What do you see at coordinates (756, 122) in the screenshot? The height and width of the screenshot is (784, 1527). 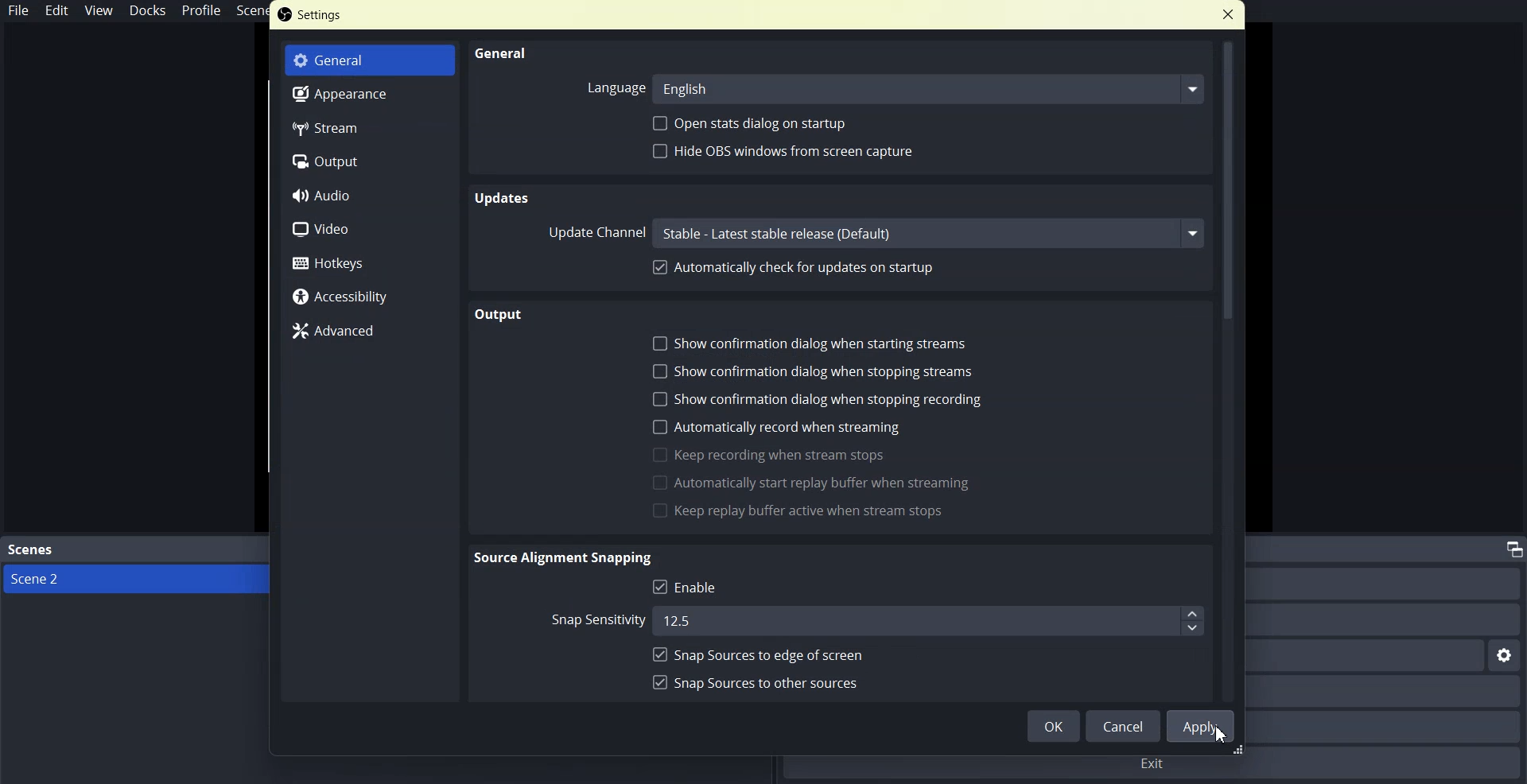 I see `Open stats dialogue on startup` at bounding box center [756, 122].